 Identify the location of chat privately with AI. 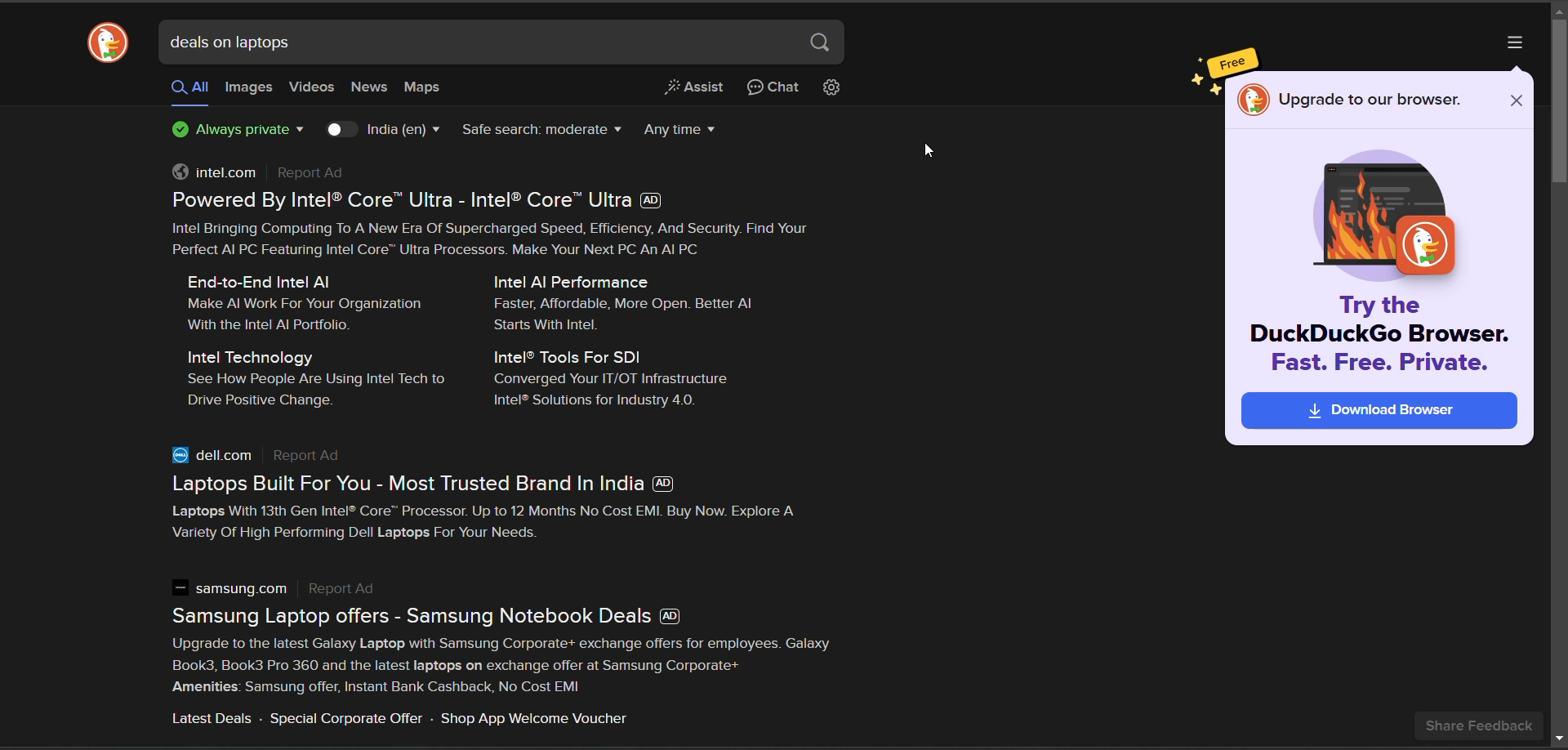
(774, 89).